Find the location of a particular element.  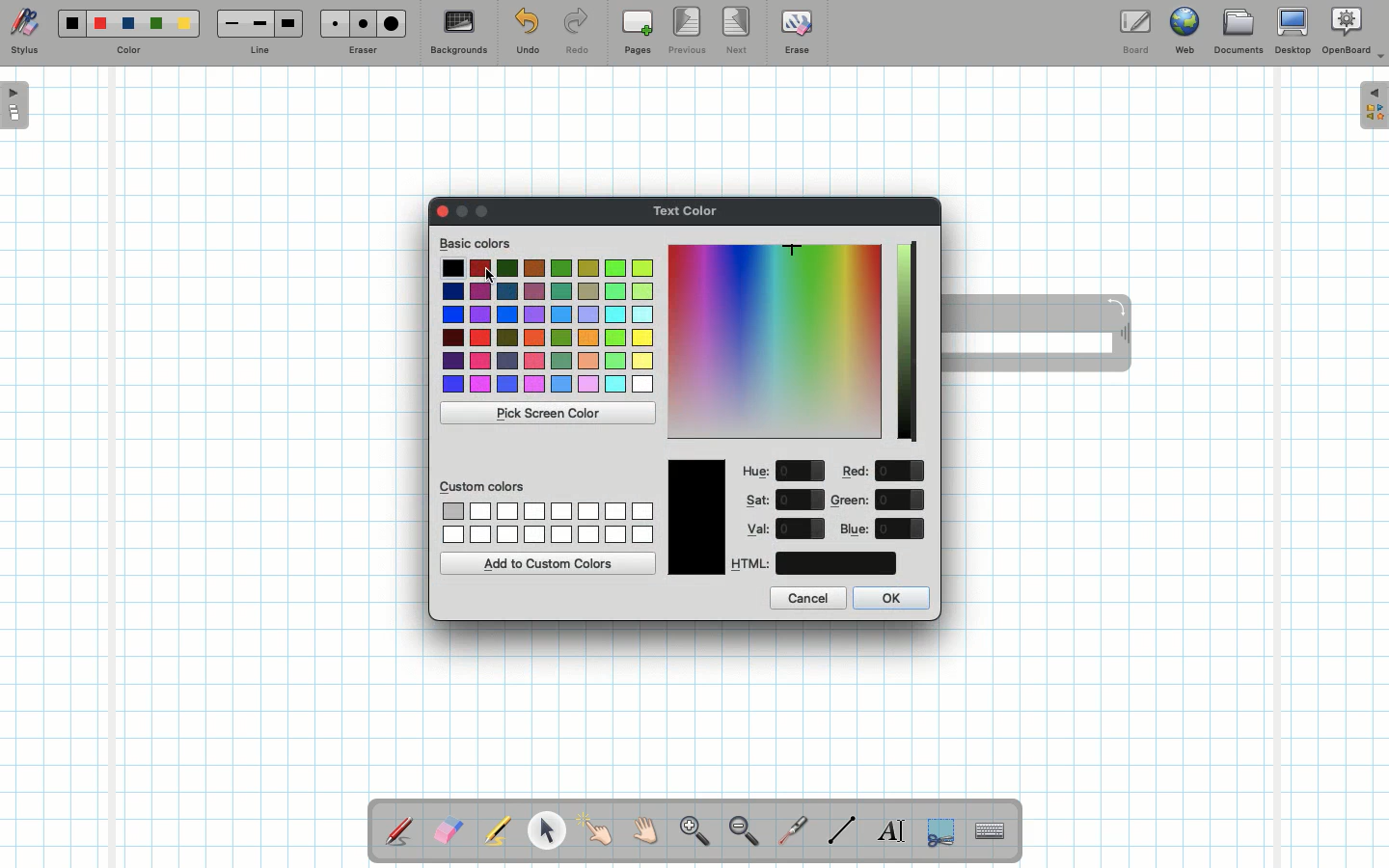

Small line is located at coordinates (229, 24).